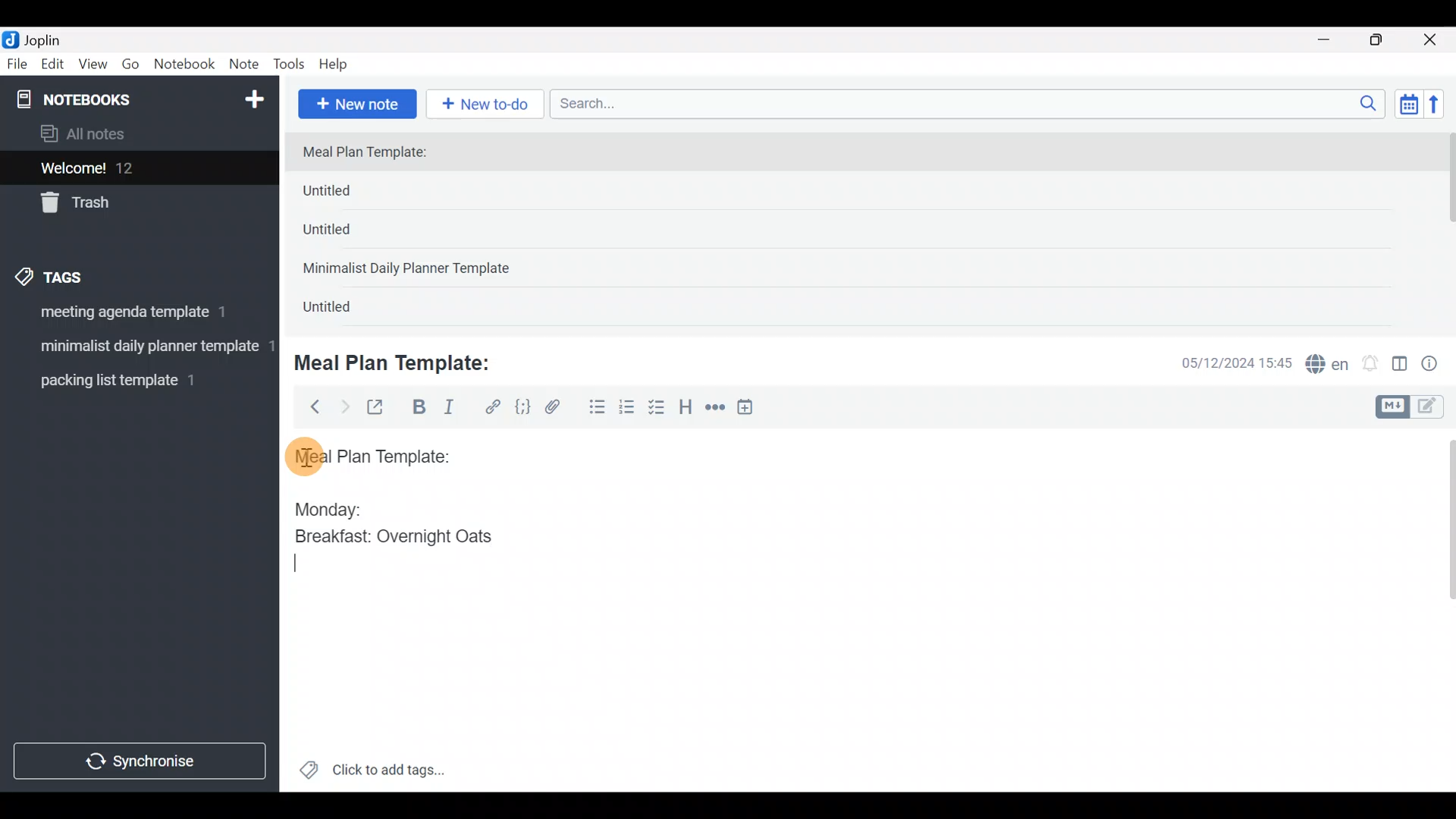  What do you see at coordinates (381, 408) in the screenshot?
I see `Toggle external editing` at bounding box center [381, 408].